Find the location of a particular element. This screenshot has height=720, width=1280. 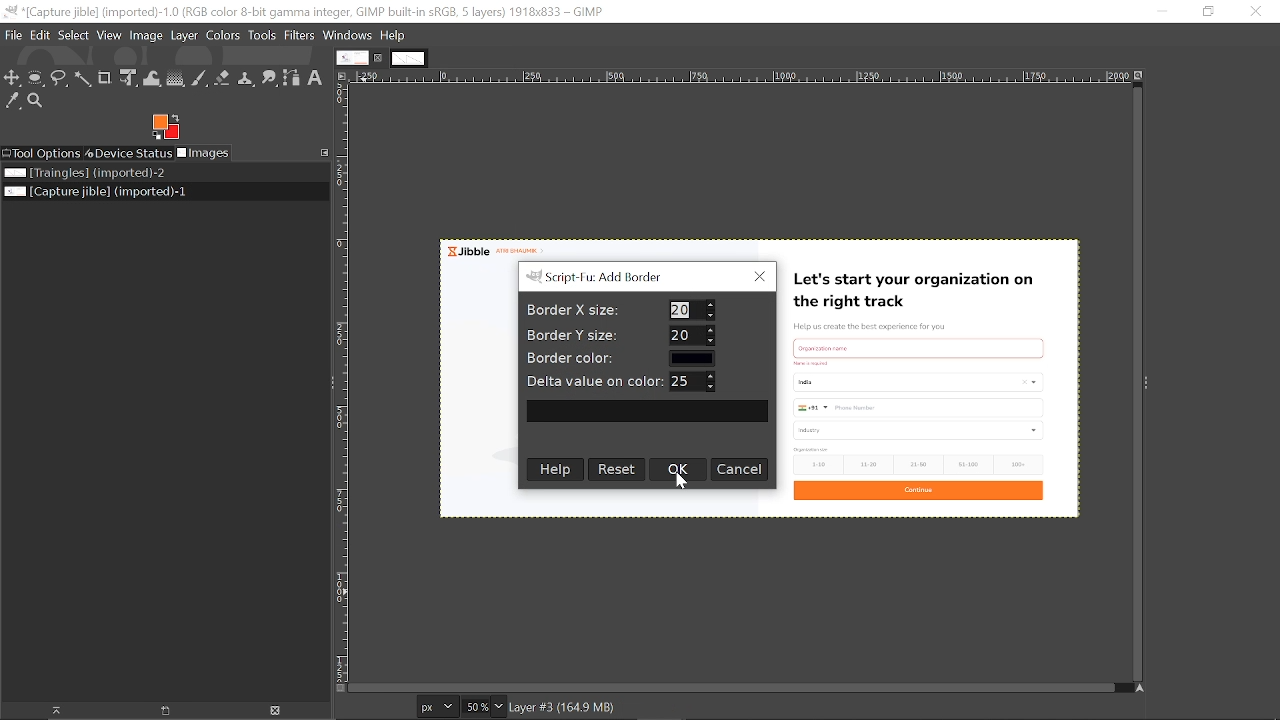

Windows is located at coordinates (348, 35).